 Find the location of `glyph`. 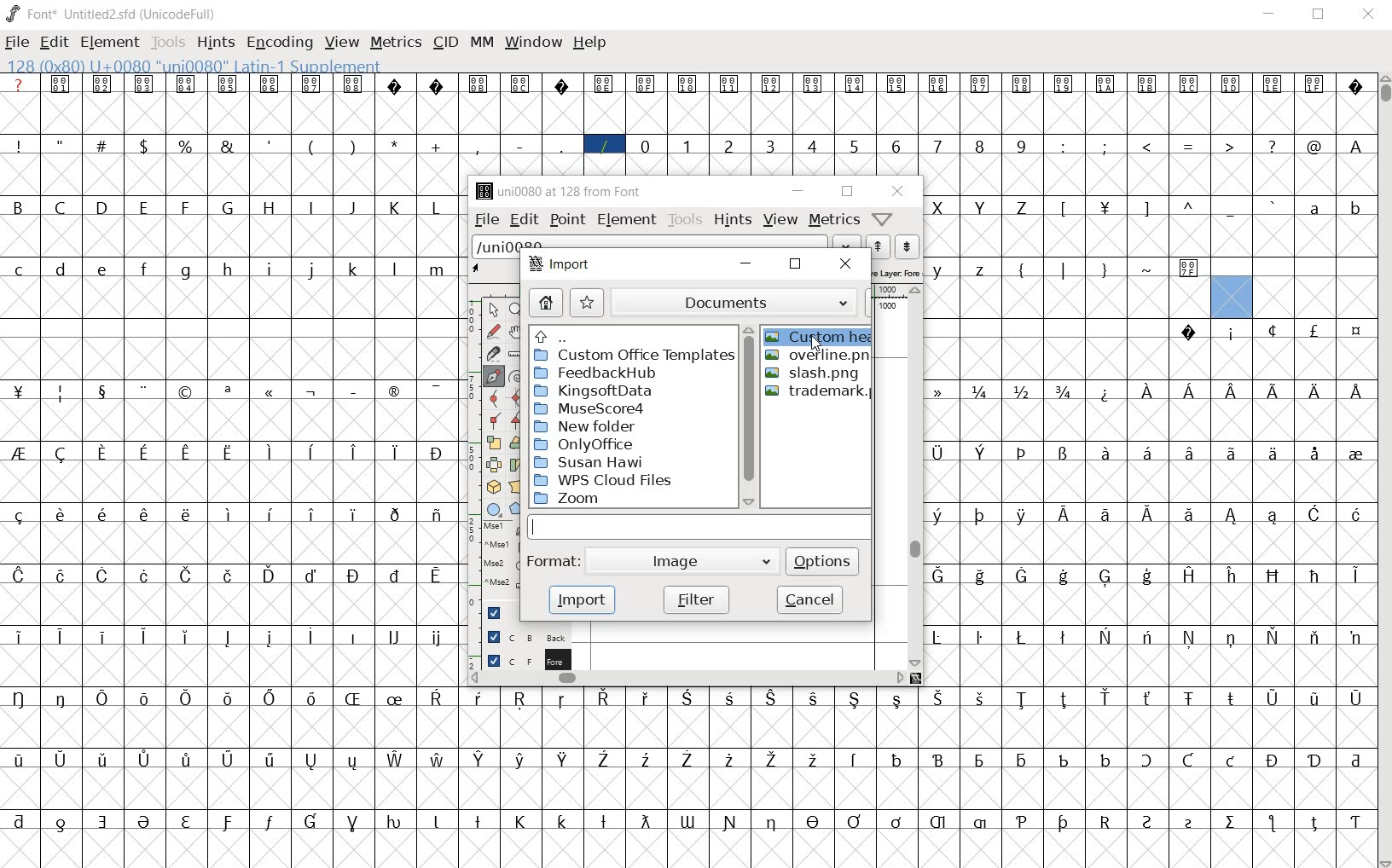

glyph is located at coordinates (1021, 576).